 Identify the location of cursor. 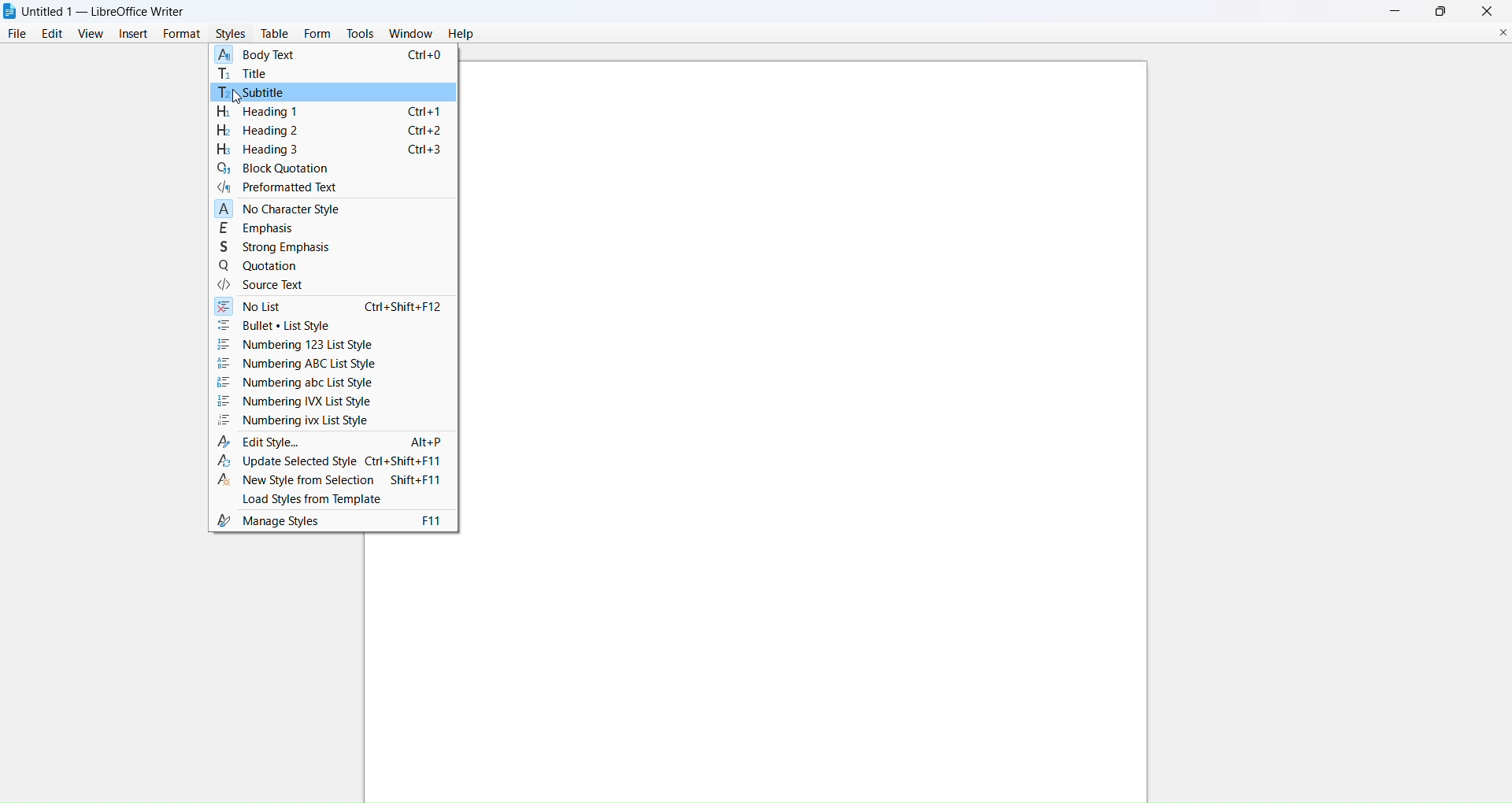
(238, 103).